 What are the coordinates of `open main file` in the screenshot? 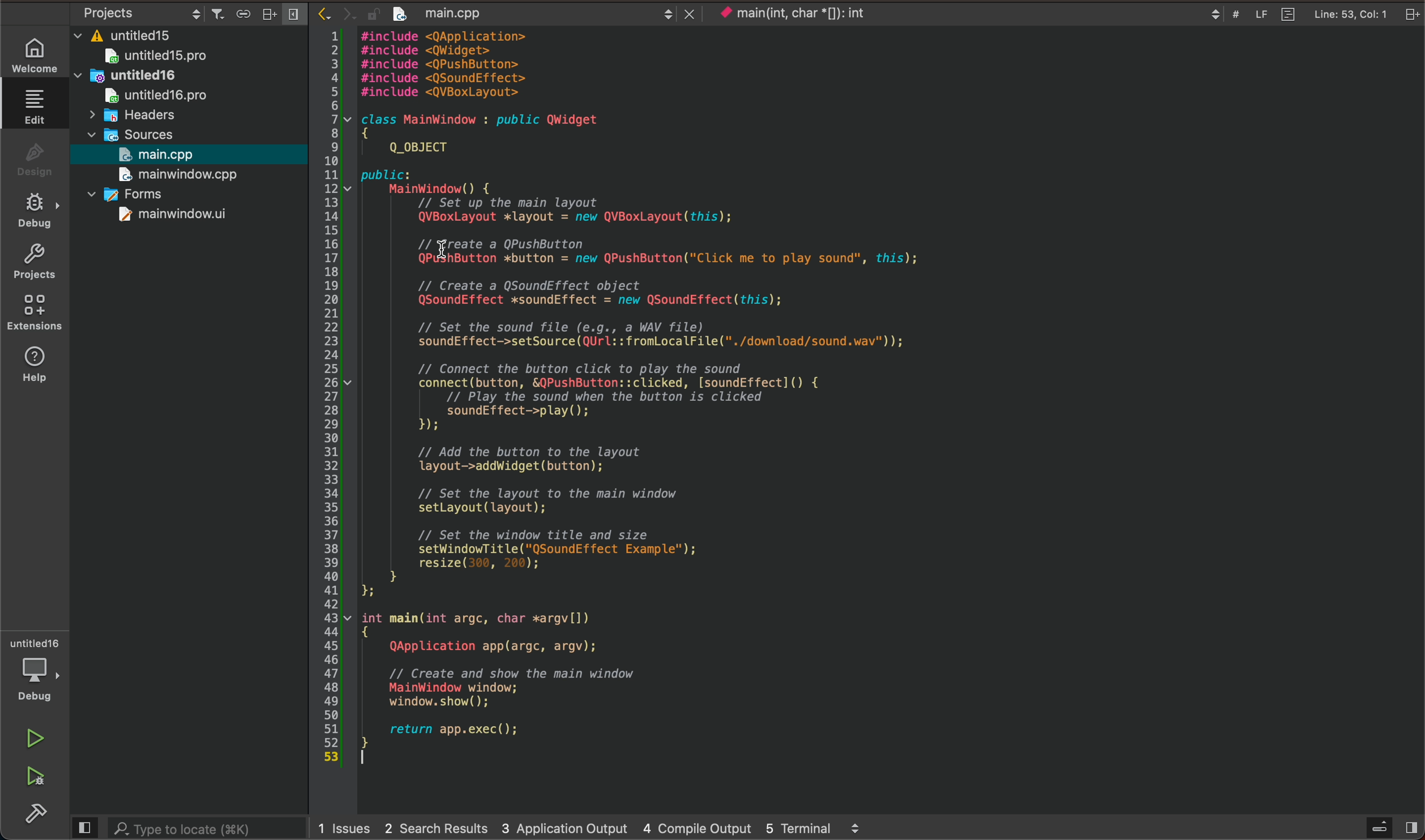 It's located at (179, 155).